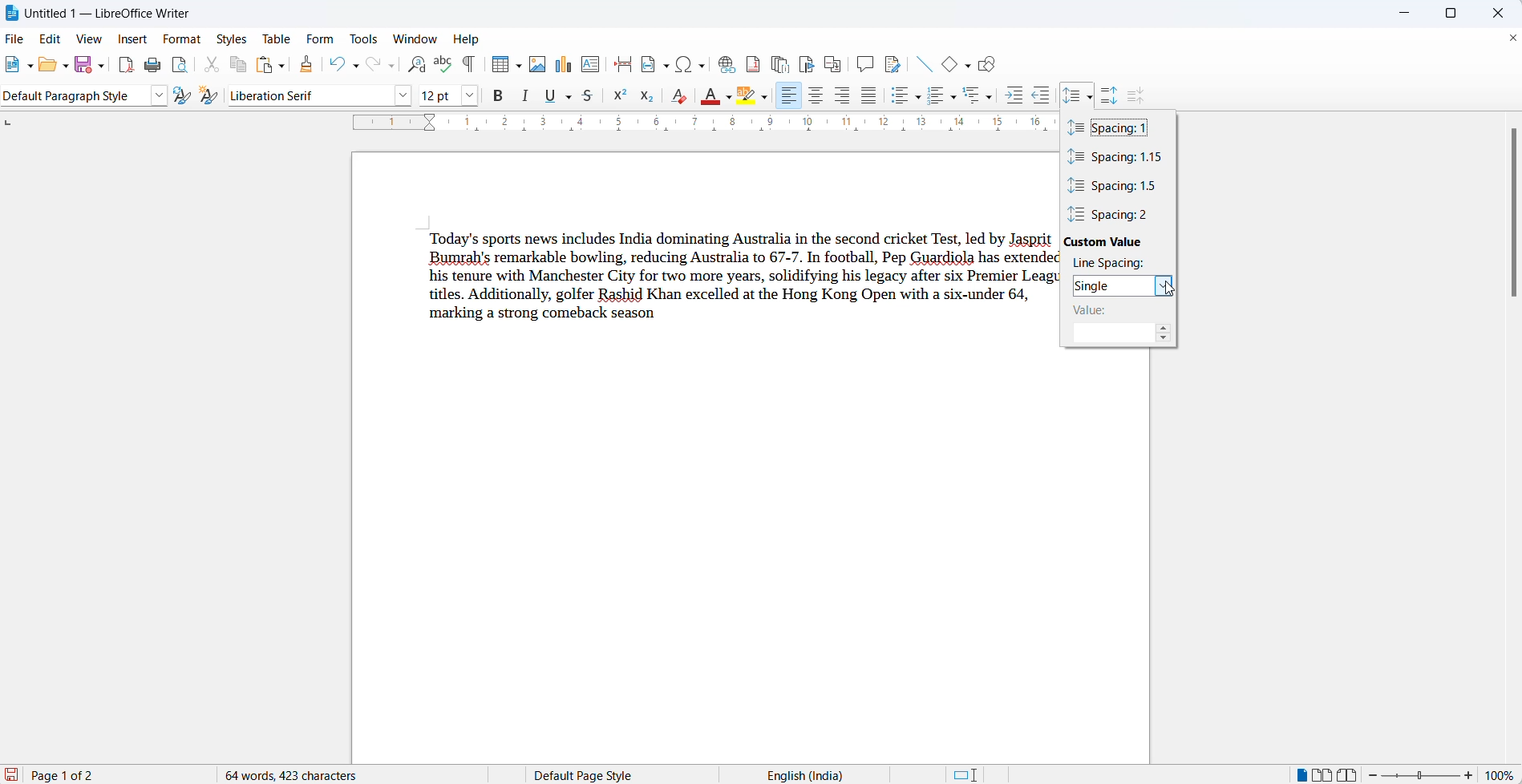  What do you see at coordinates (366, 38) in the screenshot?
I see `tools` at bounding box center [366, 38].